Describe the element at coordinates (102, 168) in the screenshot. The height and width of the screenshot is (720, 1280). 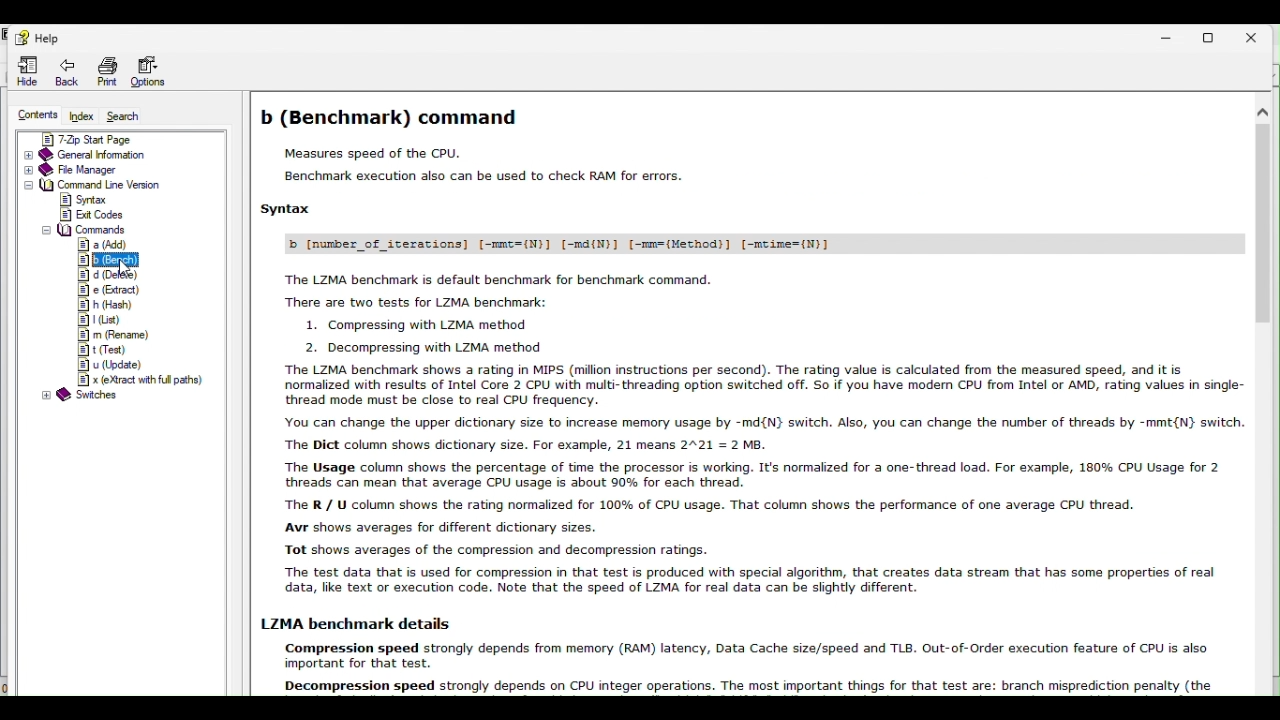
I see `File manager` at that location.